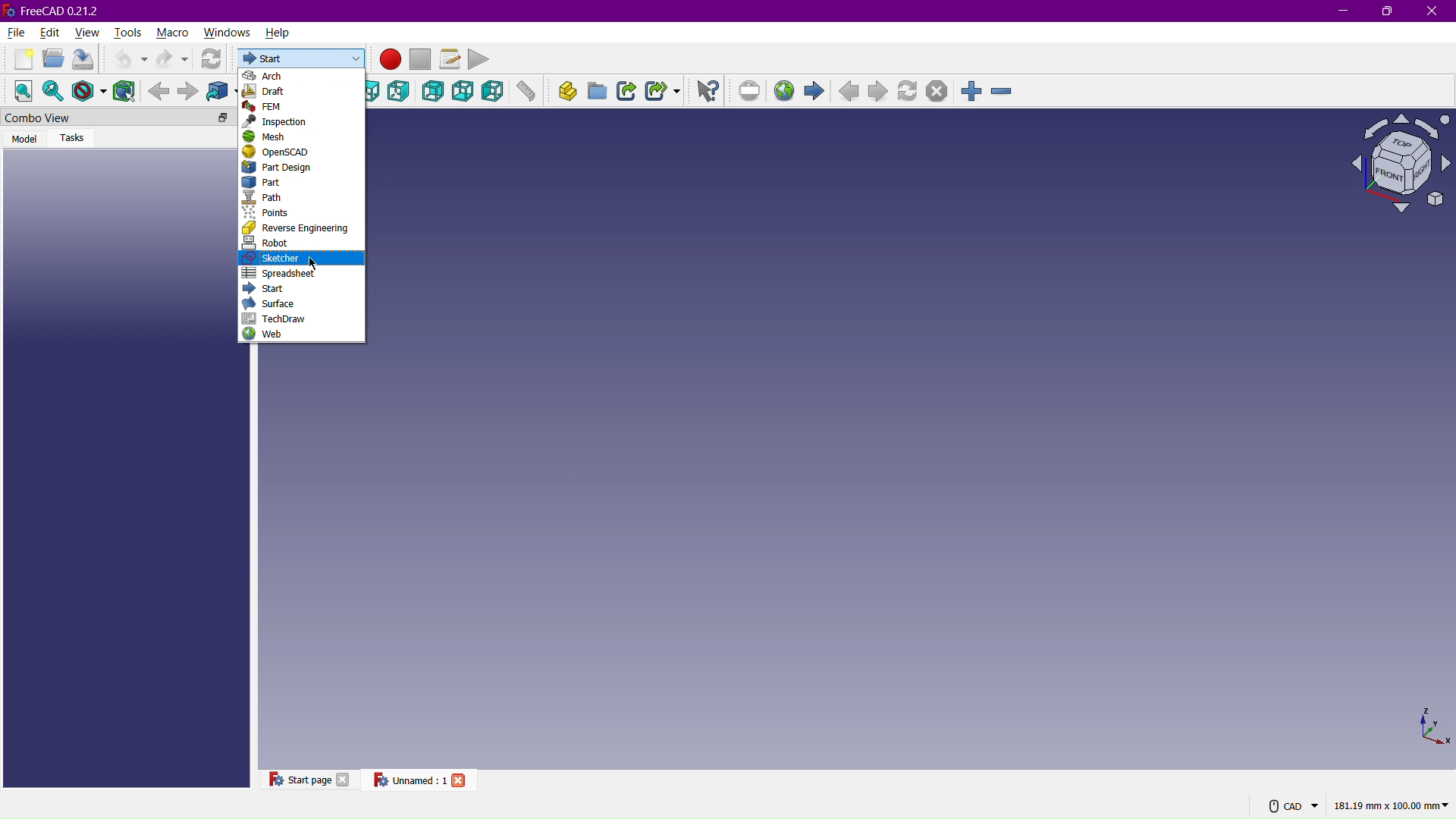 The width and height of the screenshot is (1456, 819). What do you see at coordinates (783, 92) in the screenshot?
I see `Open website` at bounding box center [783, 92].